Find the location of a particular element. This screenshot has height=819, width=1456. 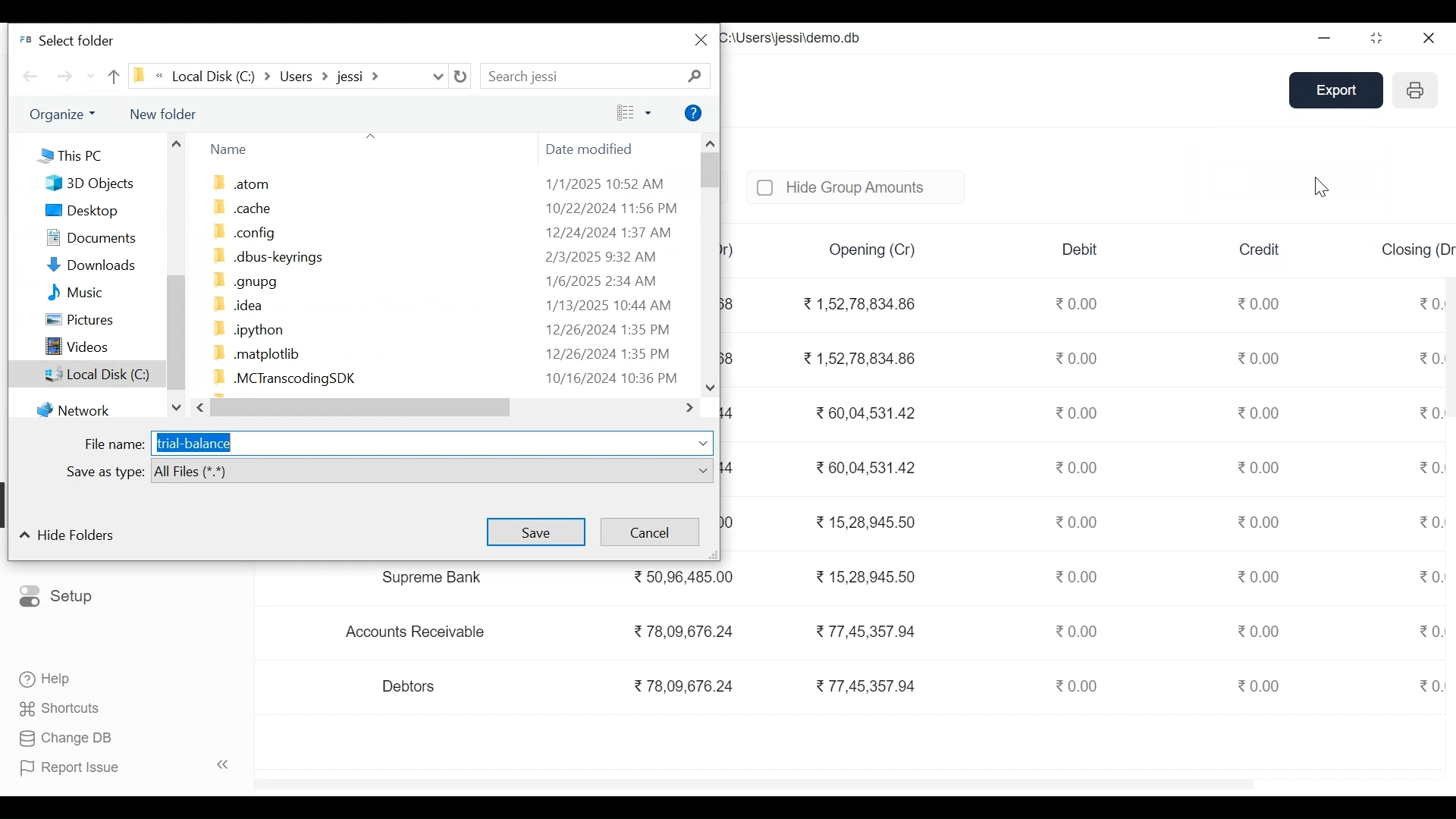

Save is located at coordinates (537, 531).